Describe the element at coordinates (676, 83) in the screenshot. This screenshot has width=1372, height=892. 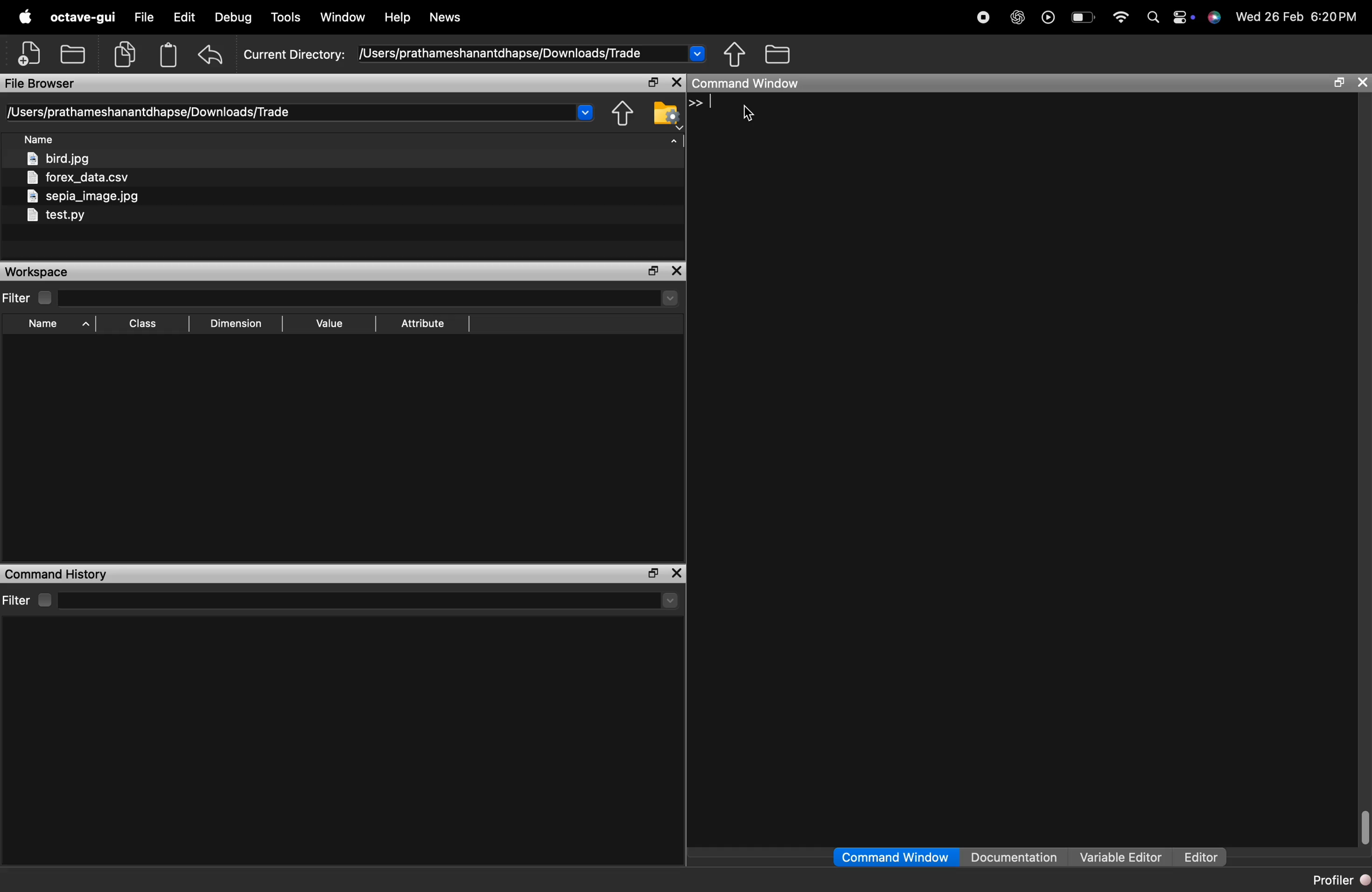
I see `close` at that location.